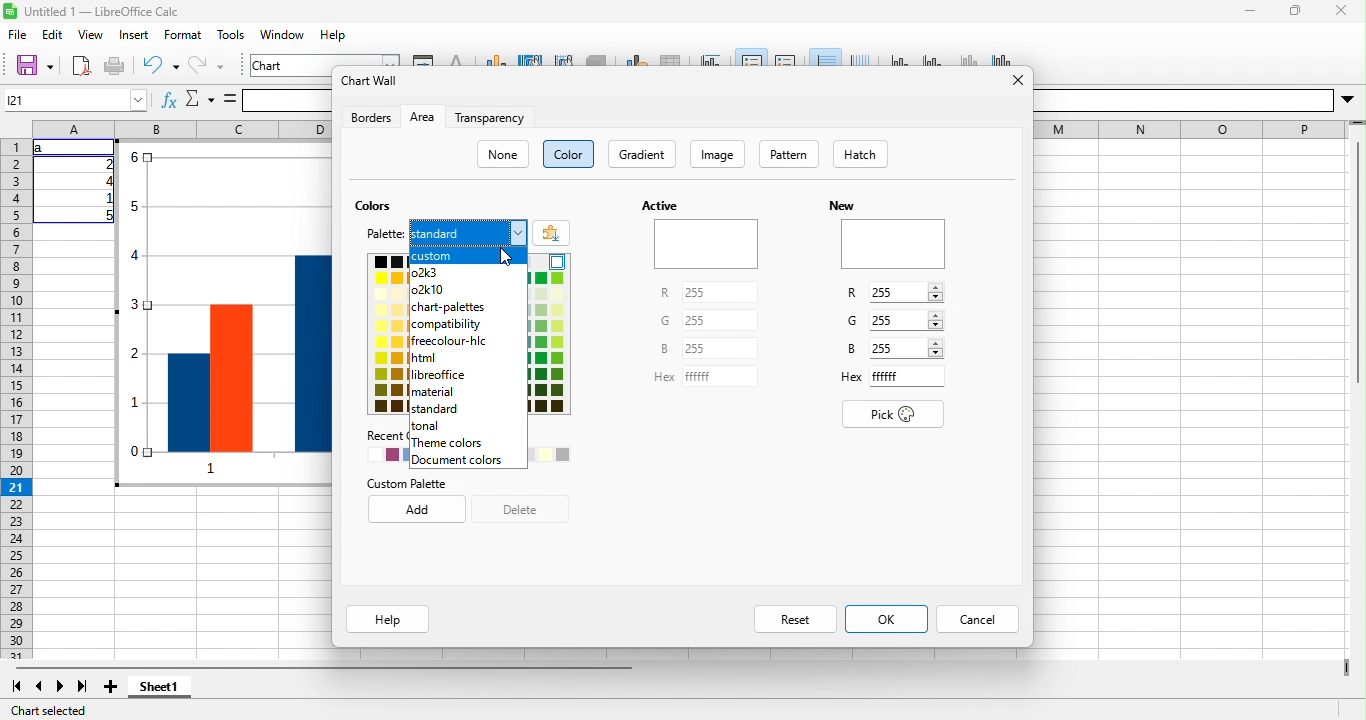 Image resolution: width=1366 pixels, height=720 pixels. Describe the element at coordinates (860, 154) in the screenshot. I see `hatch` at that location.